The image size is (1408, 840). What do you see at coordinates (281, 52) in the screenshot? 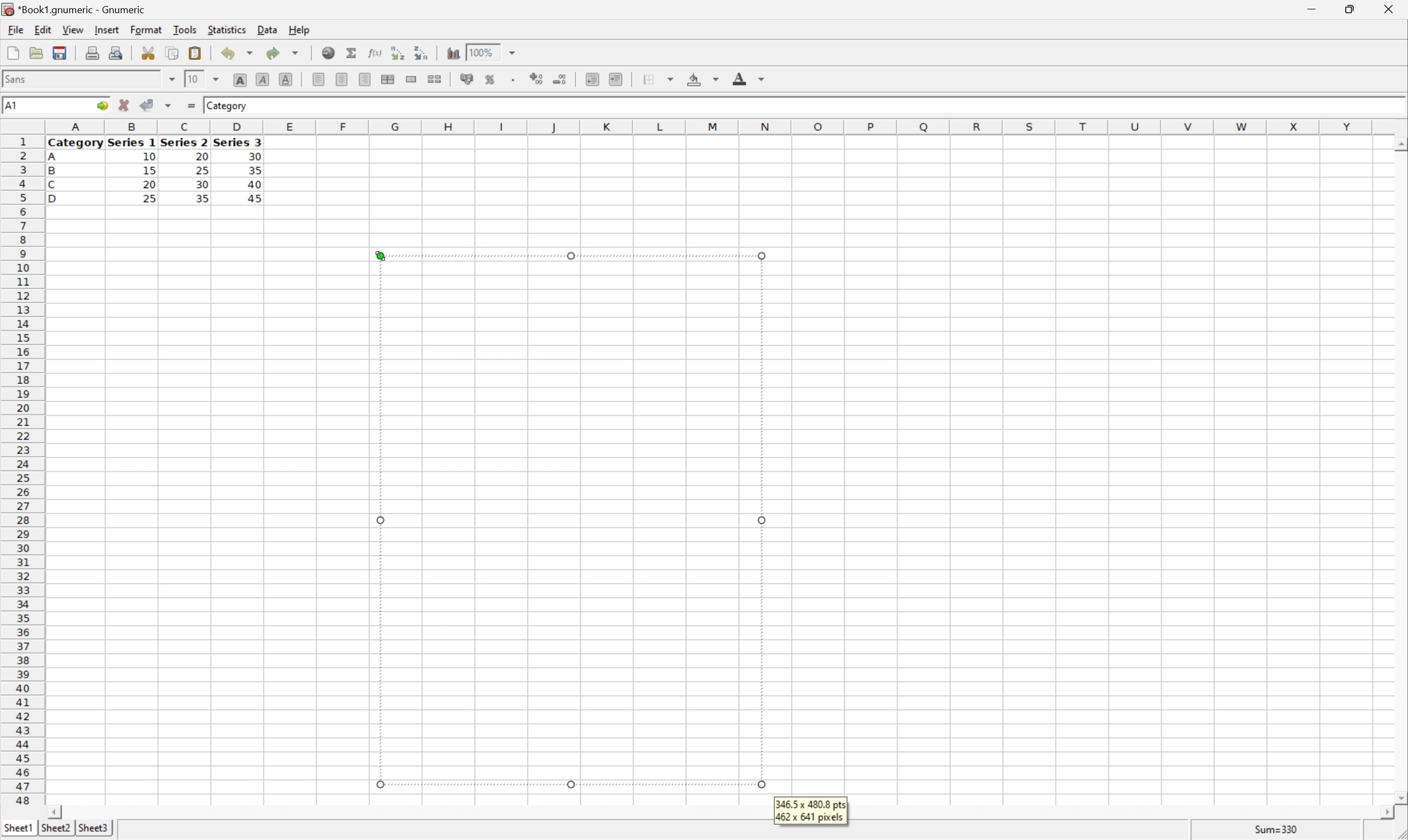
I see `Redo` at bounding box center [281, 52].